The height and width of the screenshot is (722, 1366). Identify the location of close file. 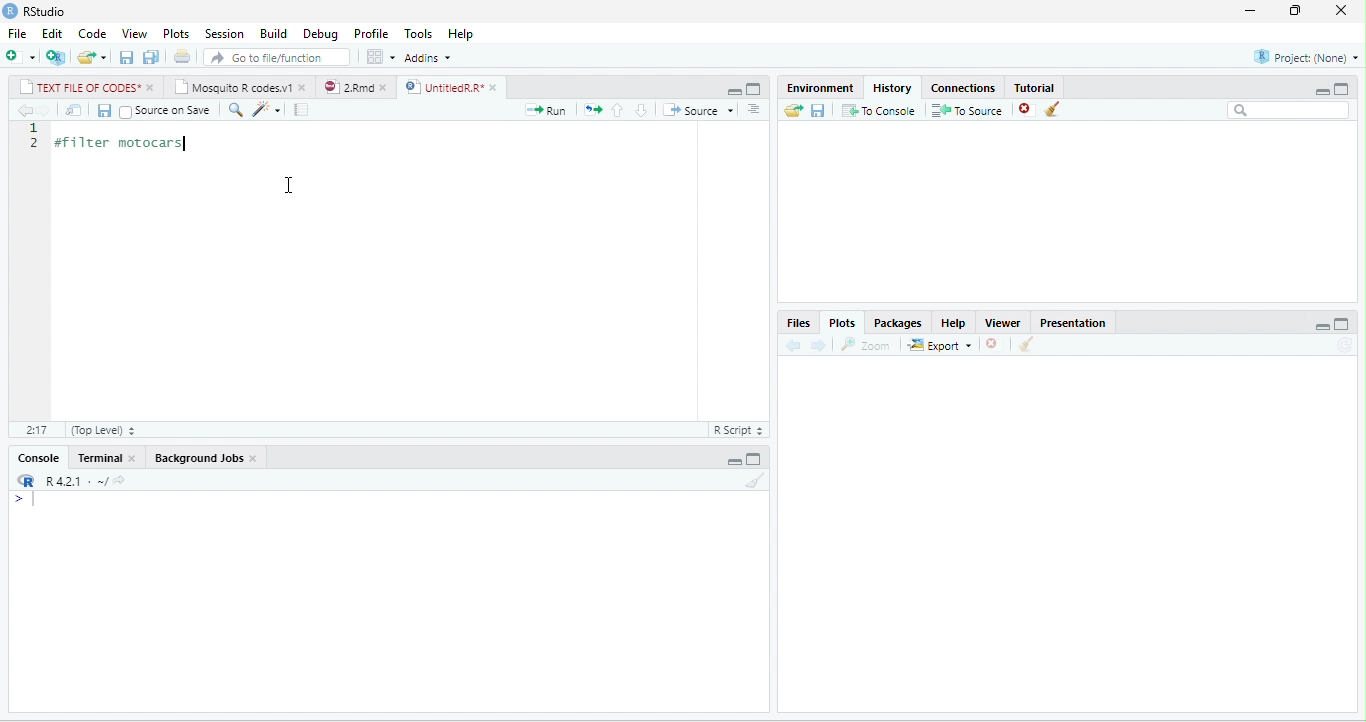
(994, 344).